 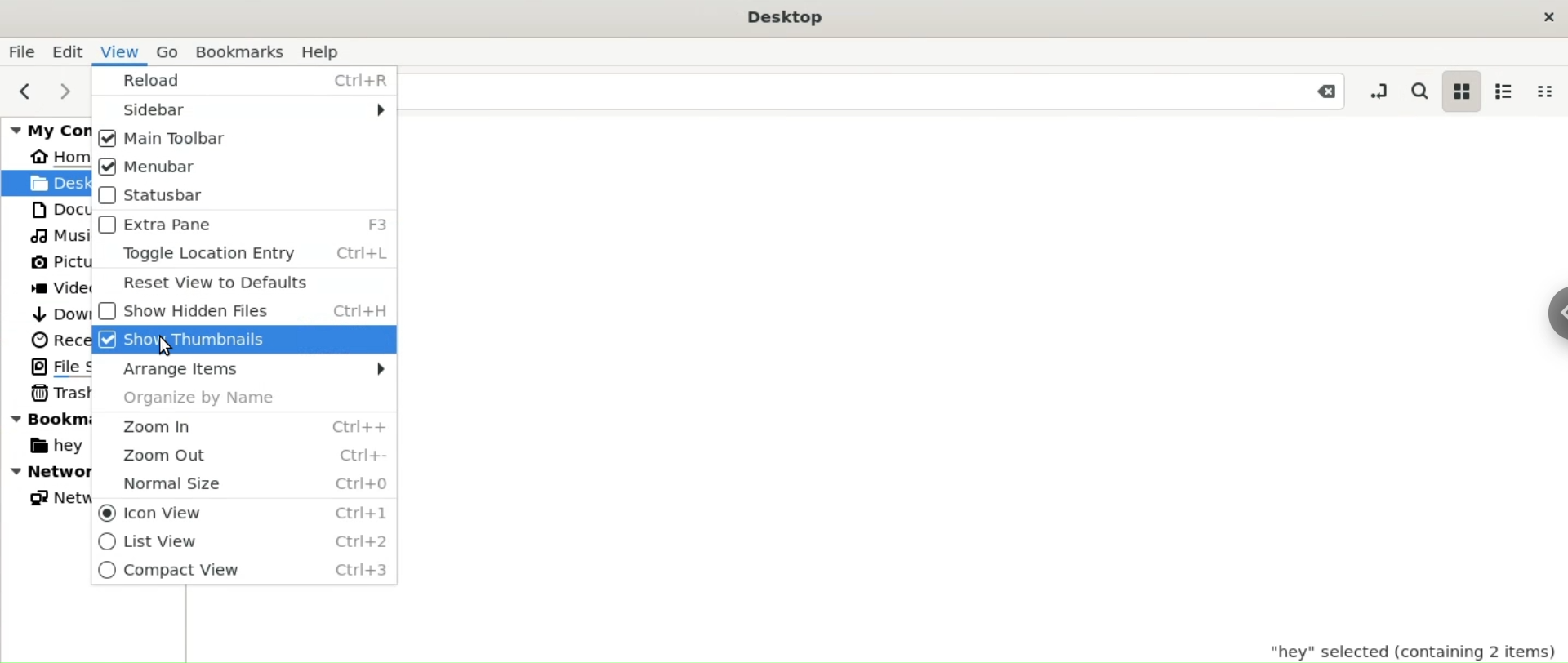 What do you see at coordinates (241, 539) in the screenshot?
I see `List View` at bounding box center [241, 539].